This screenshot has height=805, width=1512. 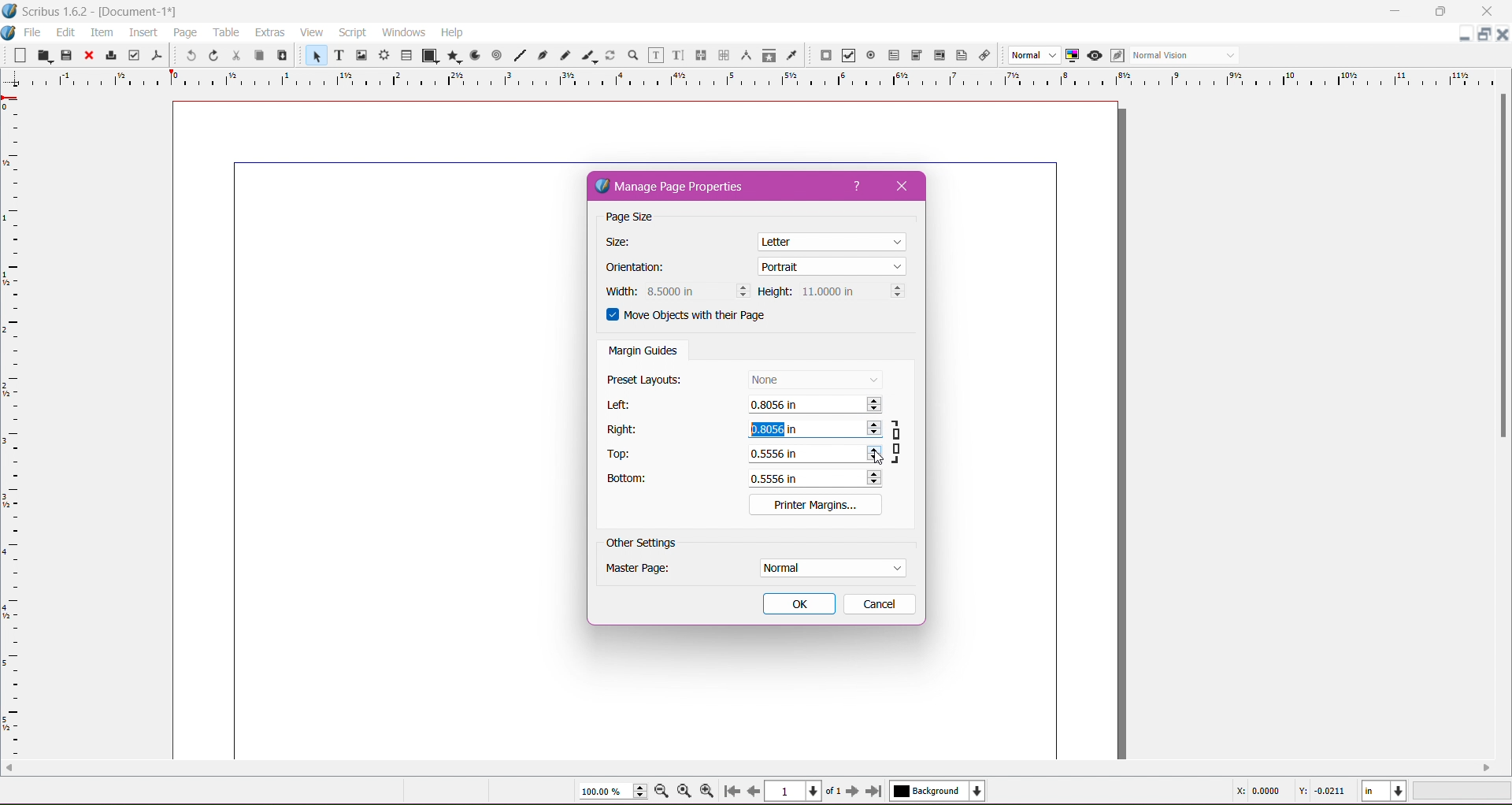 I want to click on Render Frame, so click(x=385, y=55).